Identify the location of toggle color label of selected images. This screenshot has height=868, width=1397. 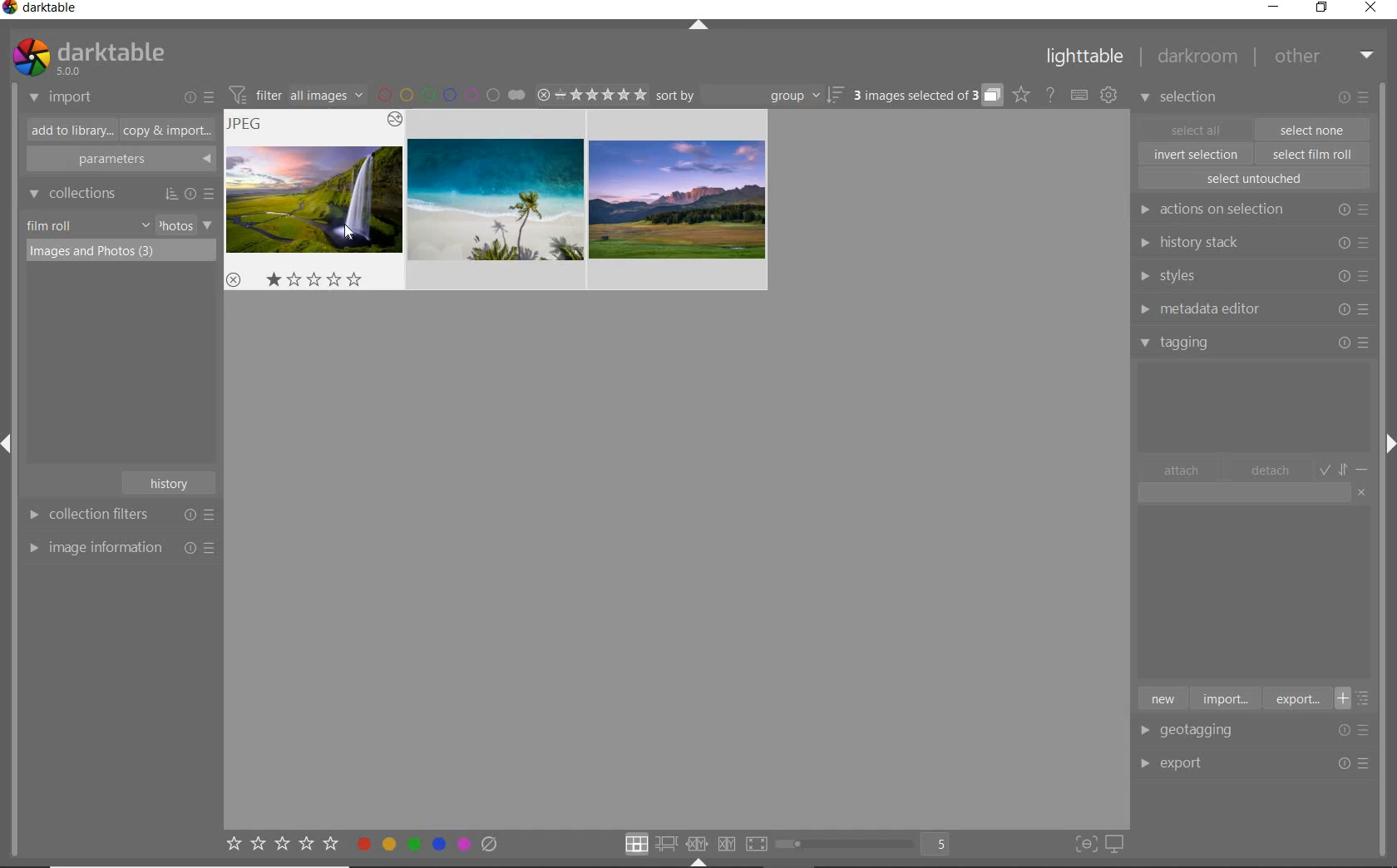
(428, 843).